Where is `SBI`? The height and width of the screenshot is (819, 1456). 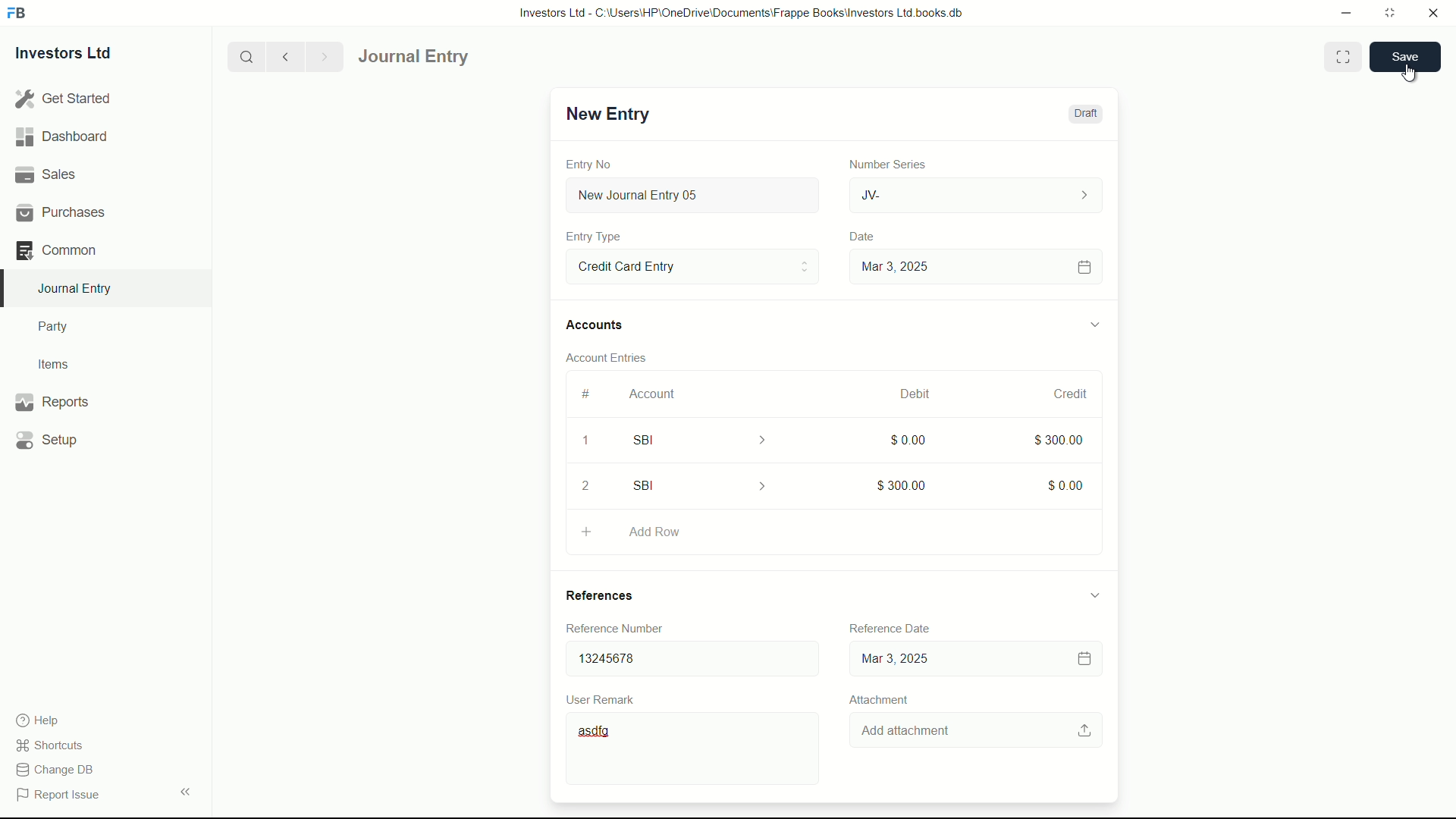 SBI is located at coordinates (710, 439).